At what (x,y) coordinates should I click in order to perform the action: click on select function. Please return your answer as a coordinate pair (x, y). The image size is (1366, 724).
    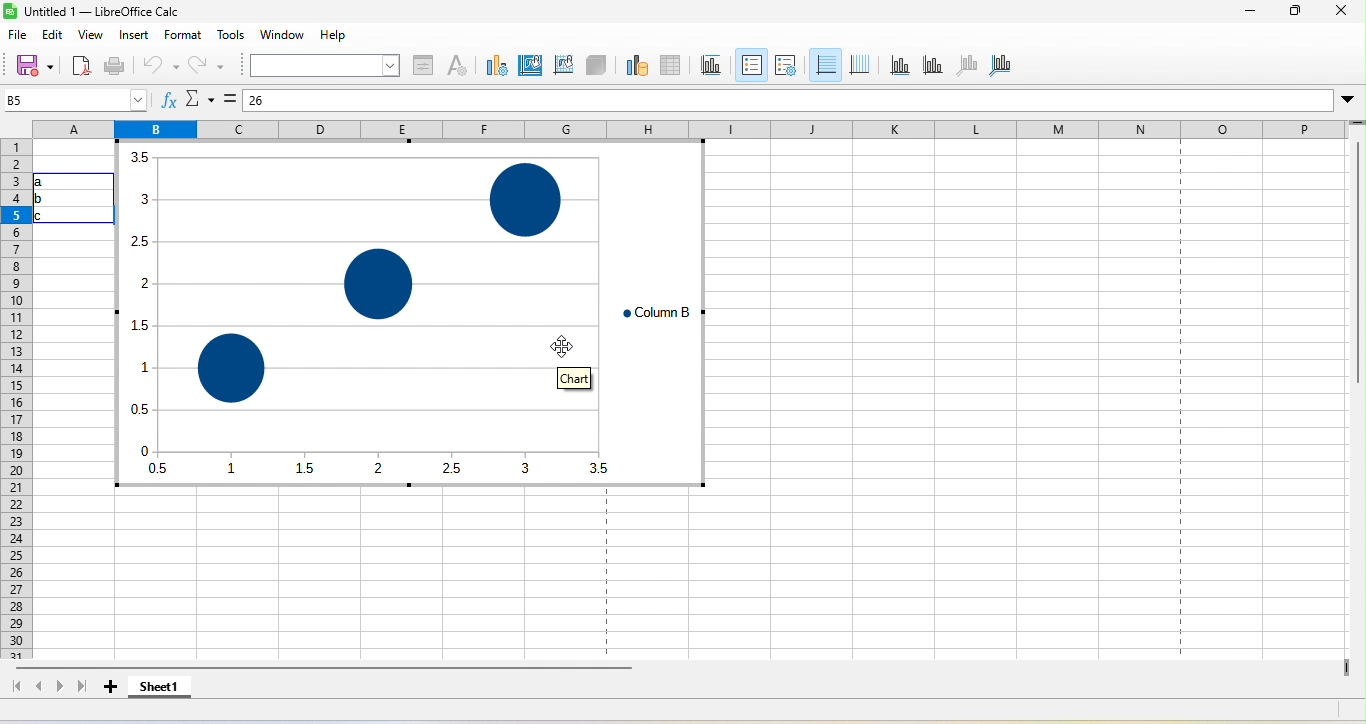
    Looking at the image, I should click on (200, 99).